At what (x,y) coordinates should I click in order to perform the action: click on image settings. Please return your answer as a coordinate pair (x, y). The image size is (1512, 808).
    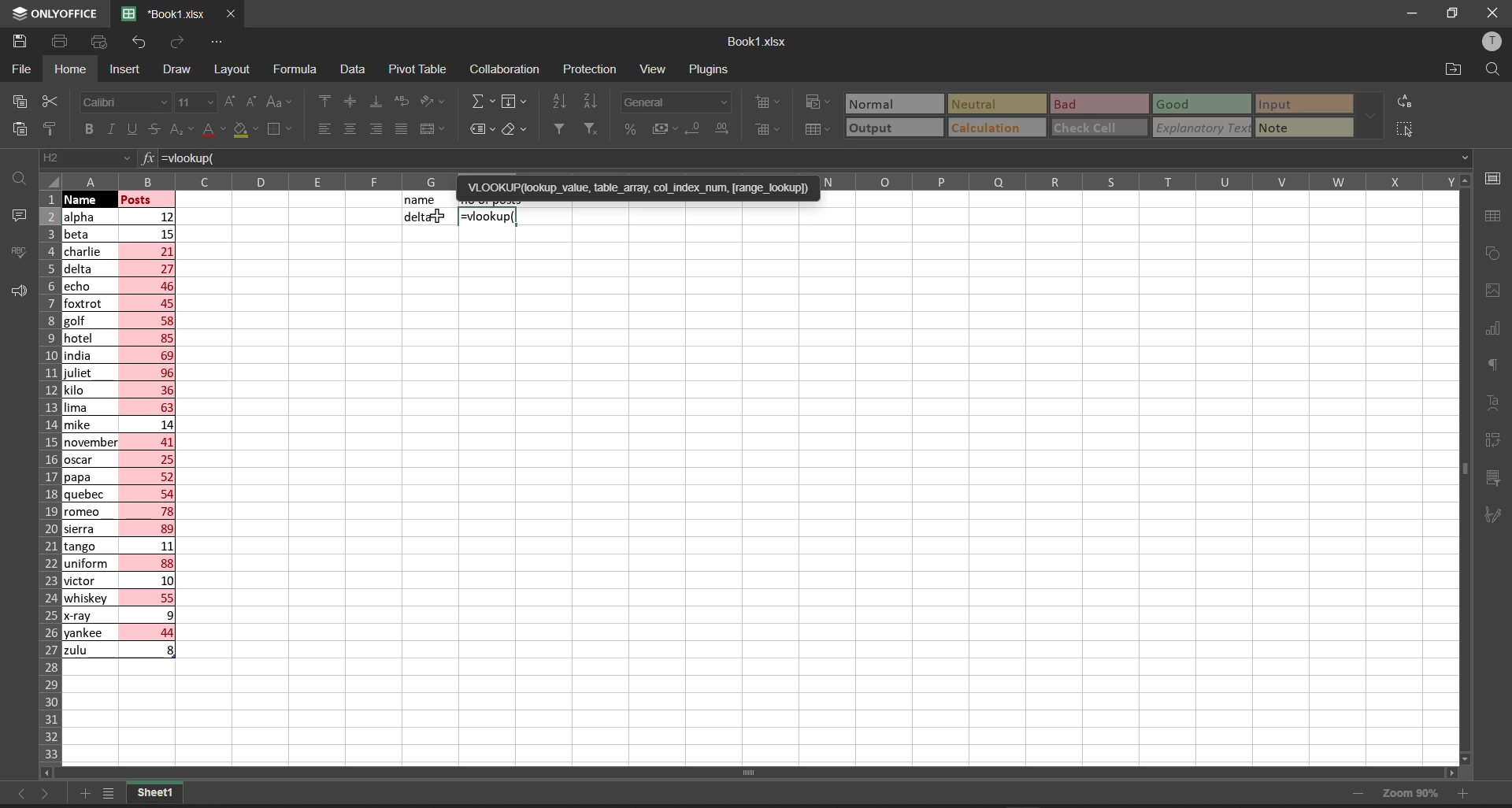
    Looking at the image, I should click on (1494, 294).